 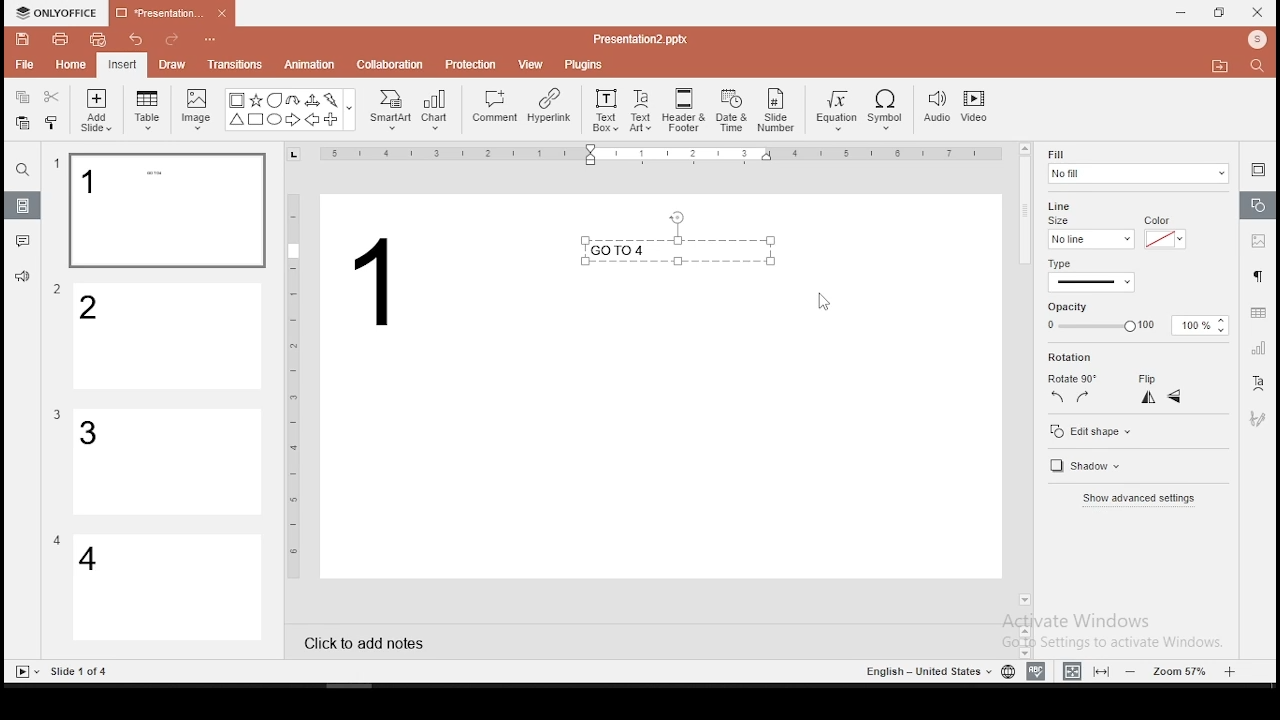 I want to click on shadow, so click(x=1082, y=468).